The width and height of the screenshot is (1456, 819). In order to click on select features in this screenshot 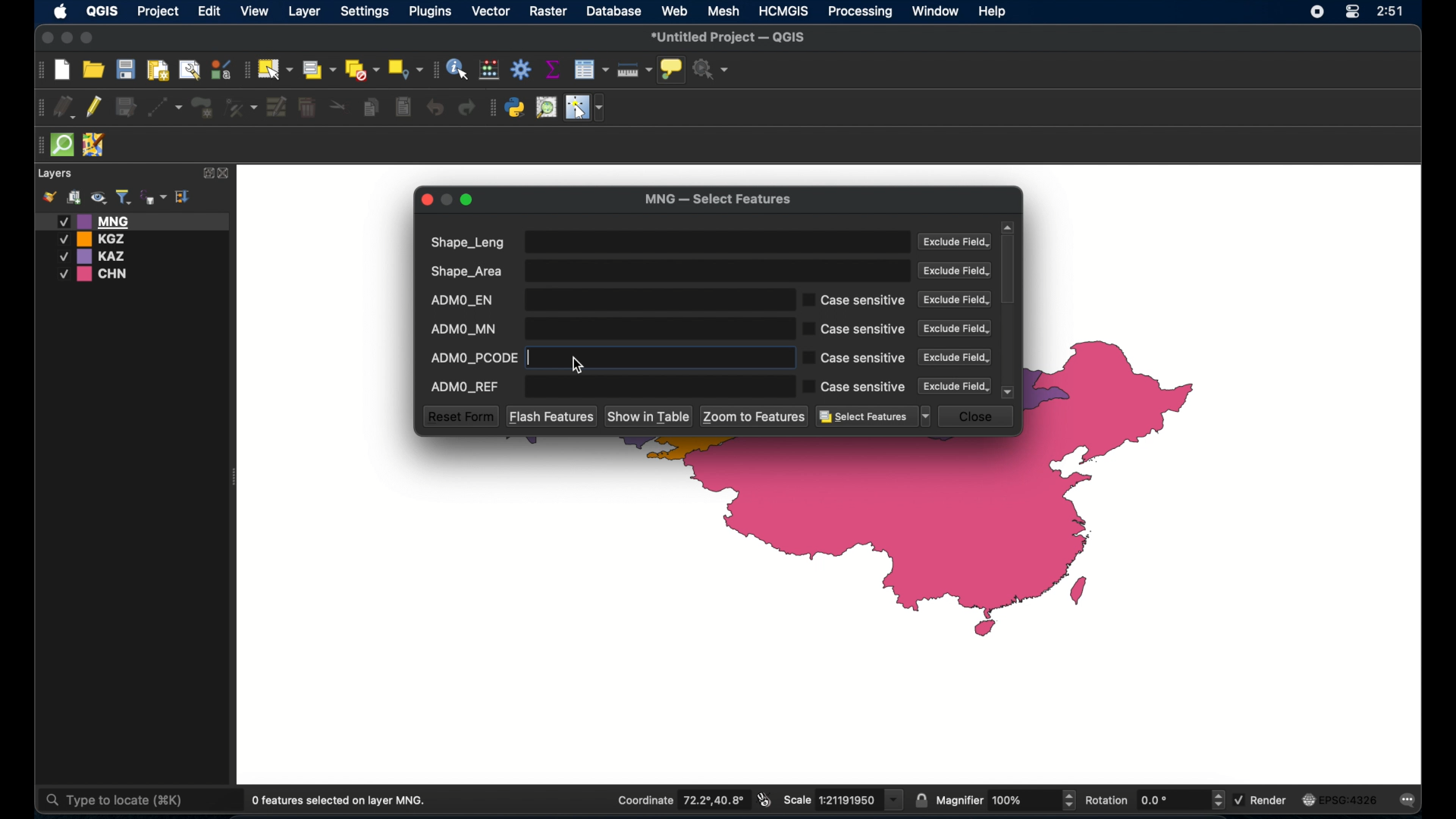, I will do `click(275, 69)`.